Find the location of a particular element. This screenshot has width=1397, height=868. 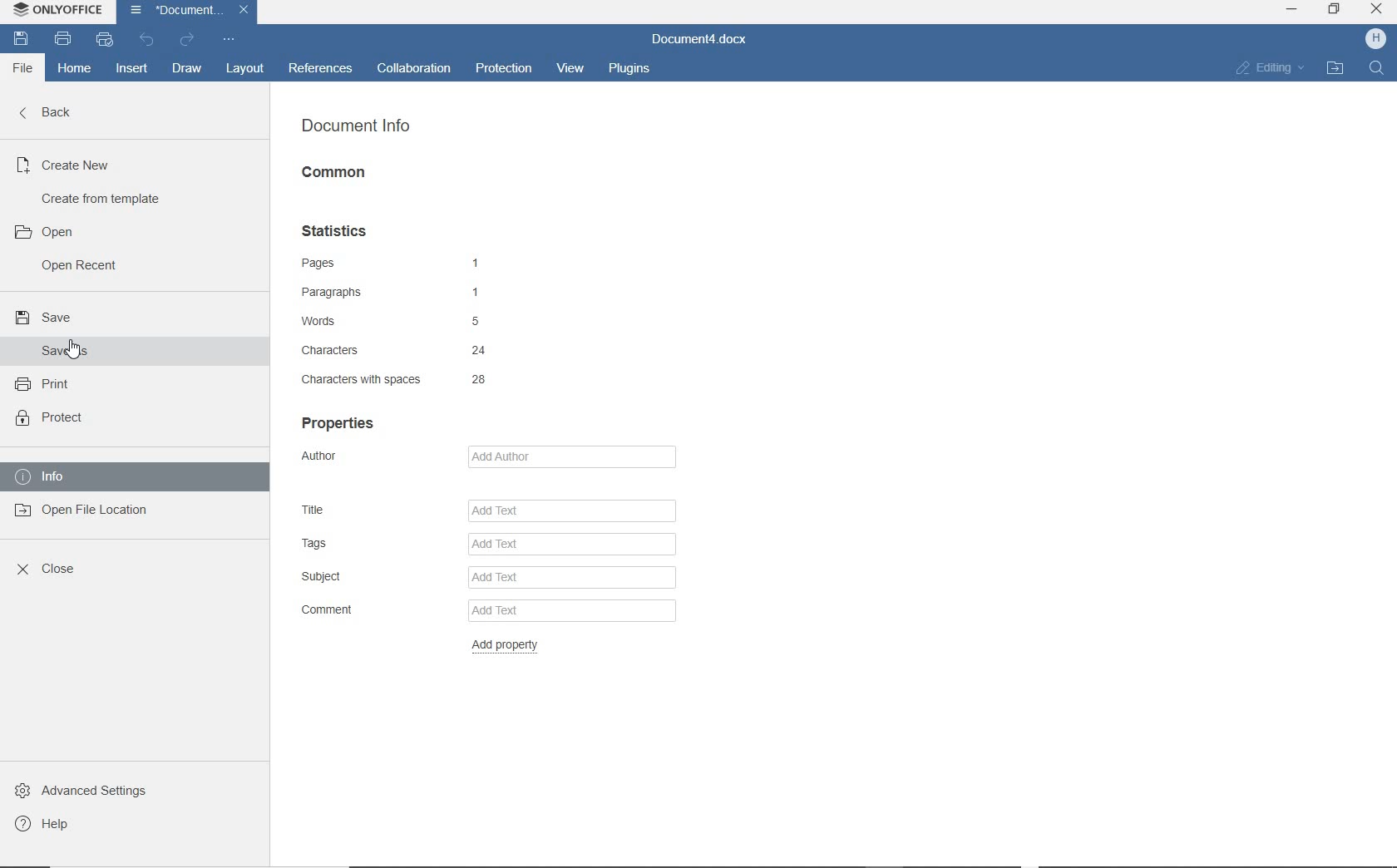

subject is located at coordinates (369, 578).